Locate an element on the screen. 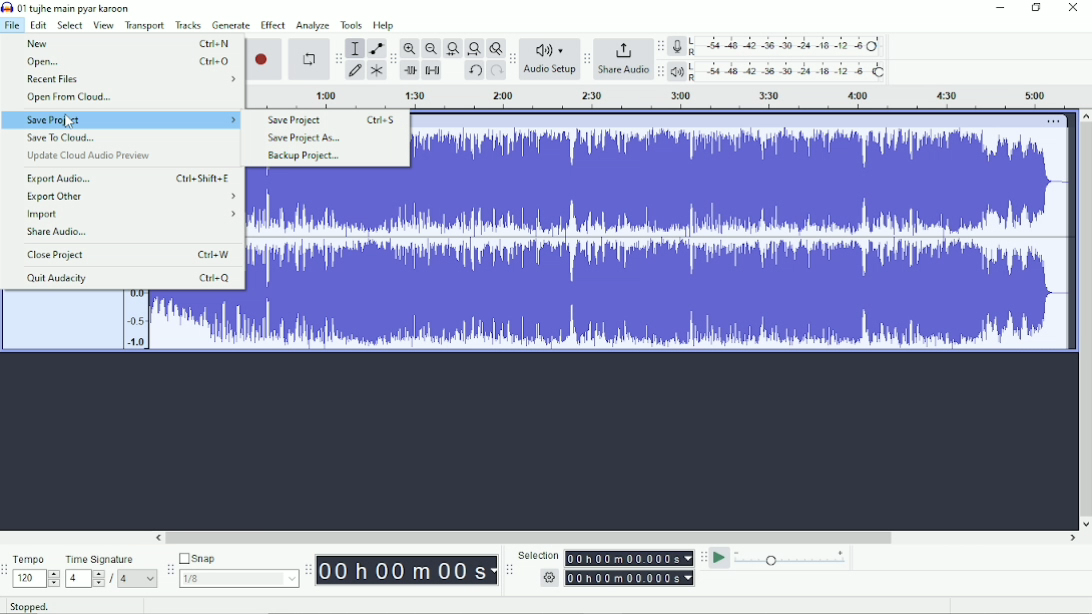  Enable looping is located at coordinates (307, 59).